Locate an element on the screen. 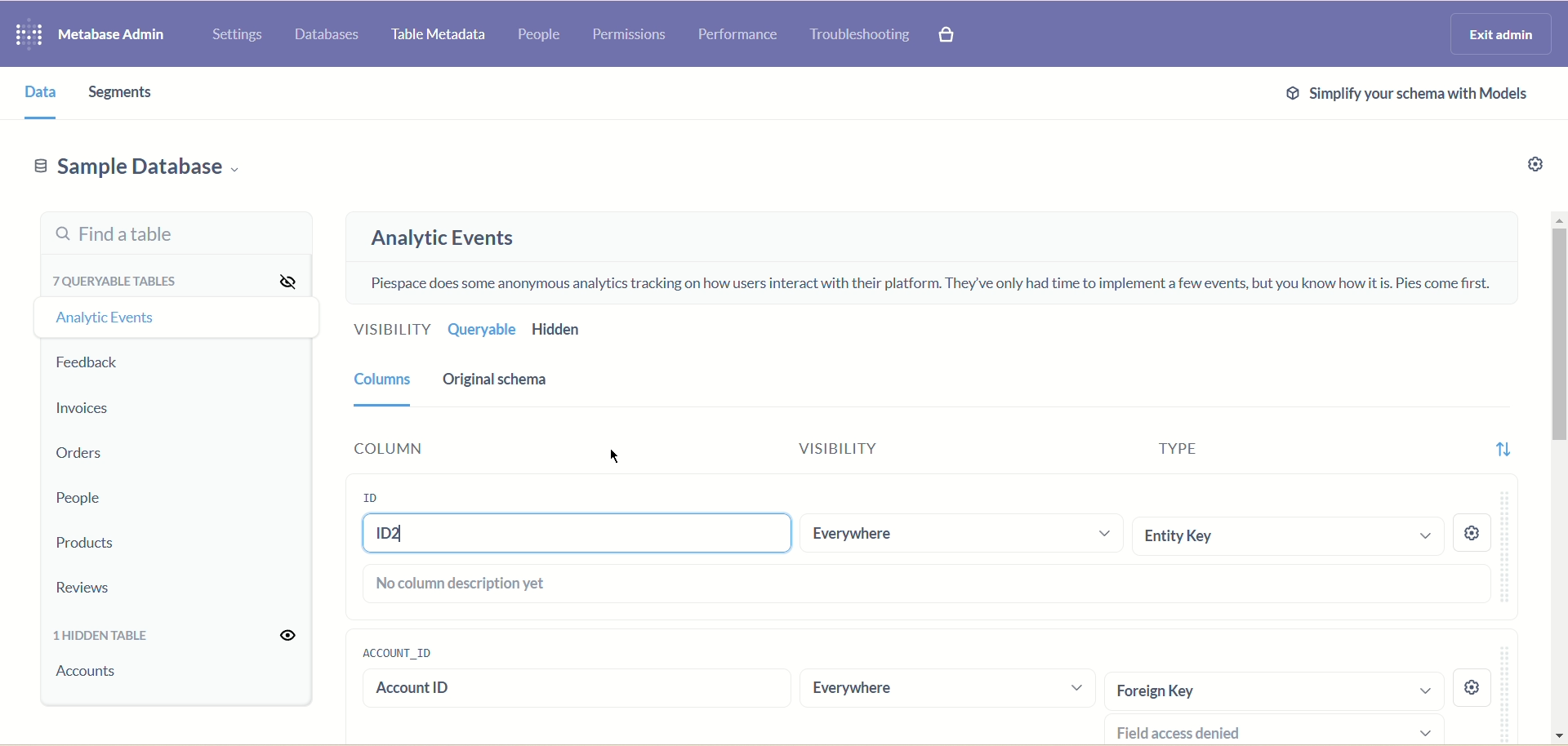 The image size is (1568, 746). account id is located at coordinates (537, 688).